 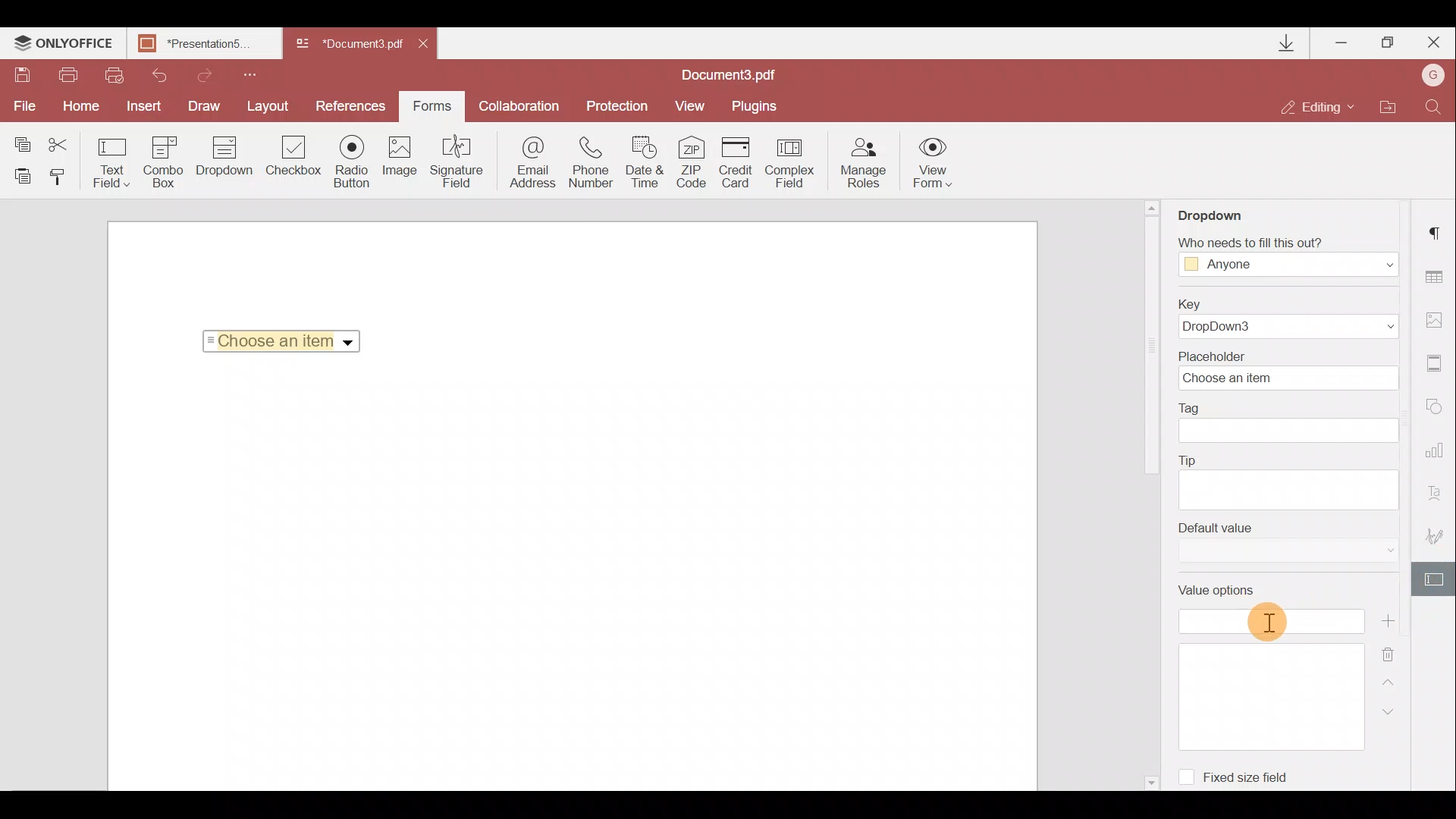 What do you see at coordinates (1432, 43) in the screenshot?
I see `Close` at bounding box center [1432, 43].